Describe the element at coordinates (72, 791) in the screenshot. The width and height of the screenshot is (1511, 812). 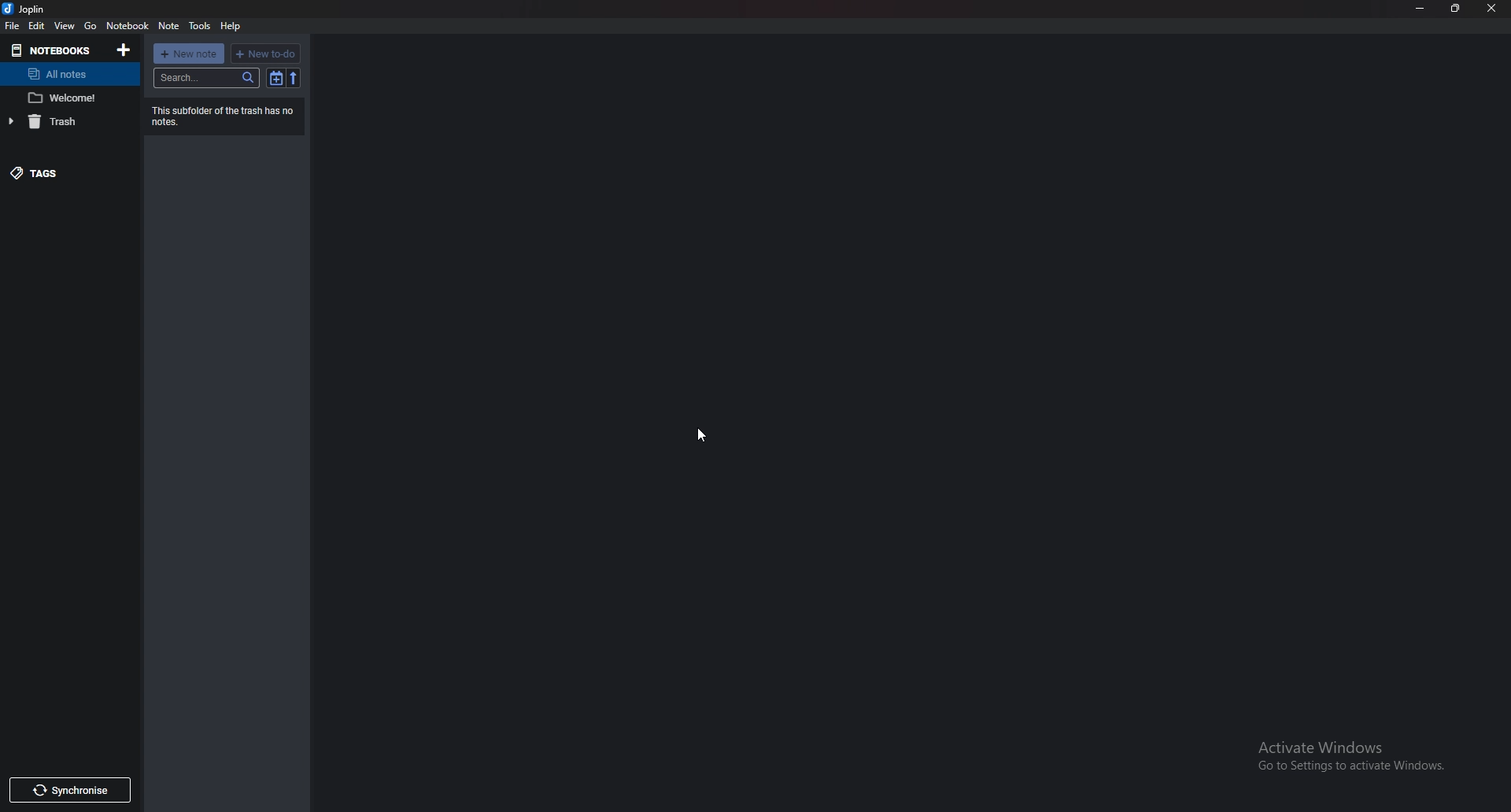
I see `Synchronize` at that location.